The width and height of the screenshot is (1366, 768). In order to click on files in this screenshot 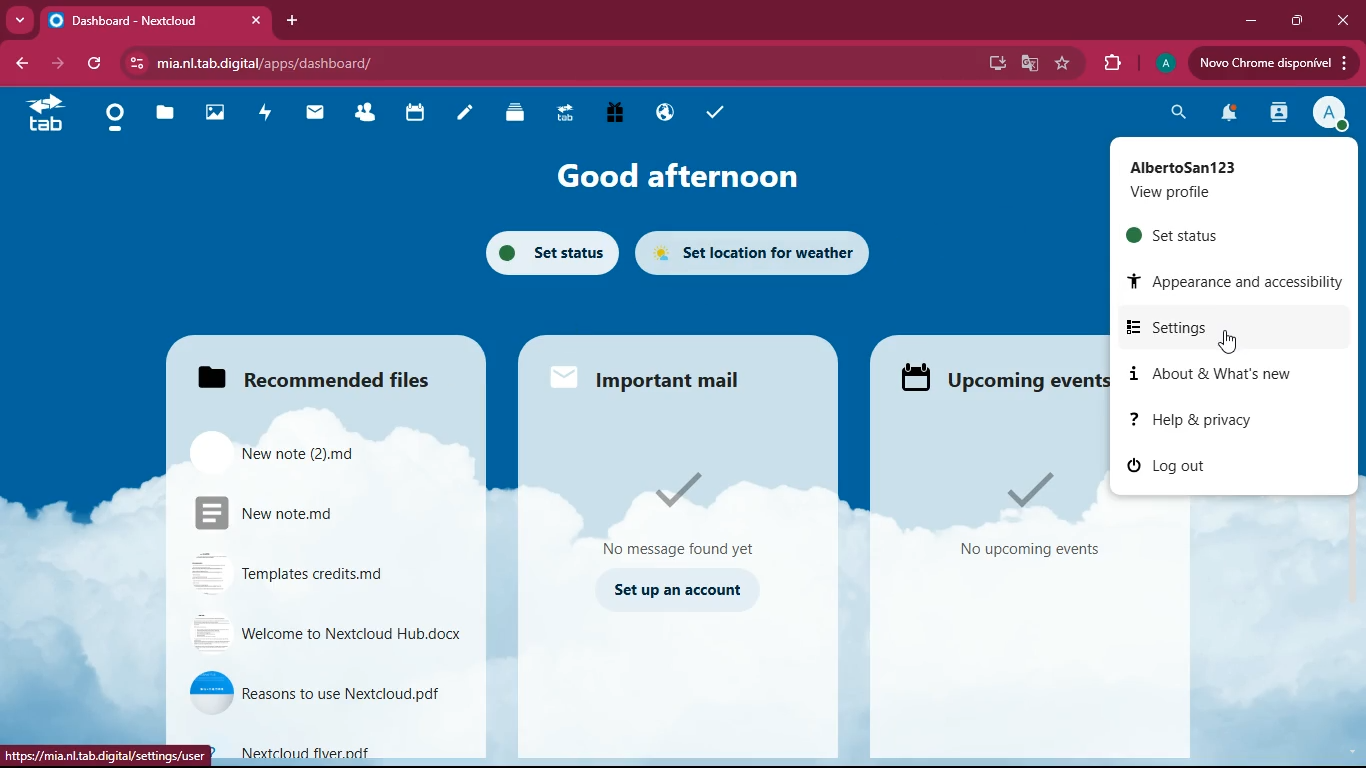, I will do `click(323, 377)`.